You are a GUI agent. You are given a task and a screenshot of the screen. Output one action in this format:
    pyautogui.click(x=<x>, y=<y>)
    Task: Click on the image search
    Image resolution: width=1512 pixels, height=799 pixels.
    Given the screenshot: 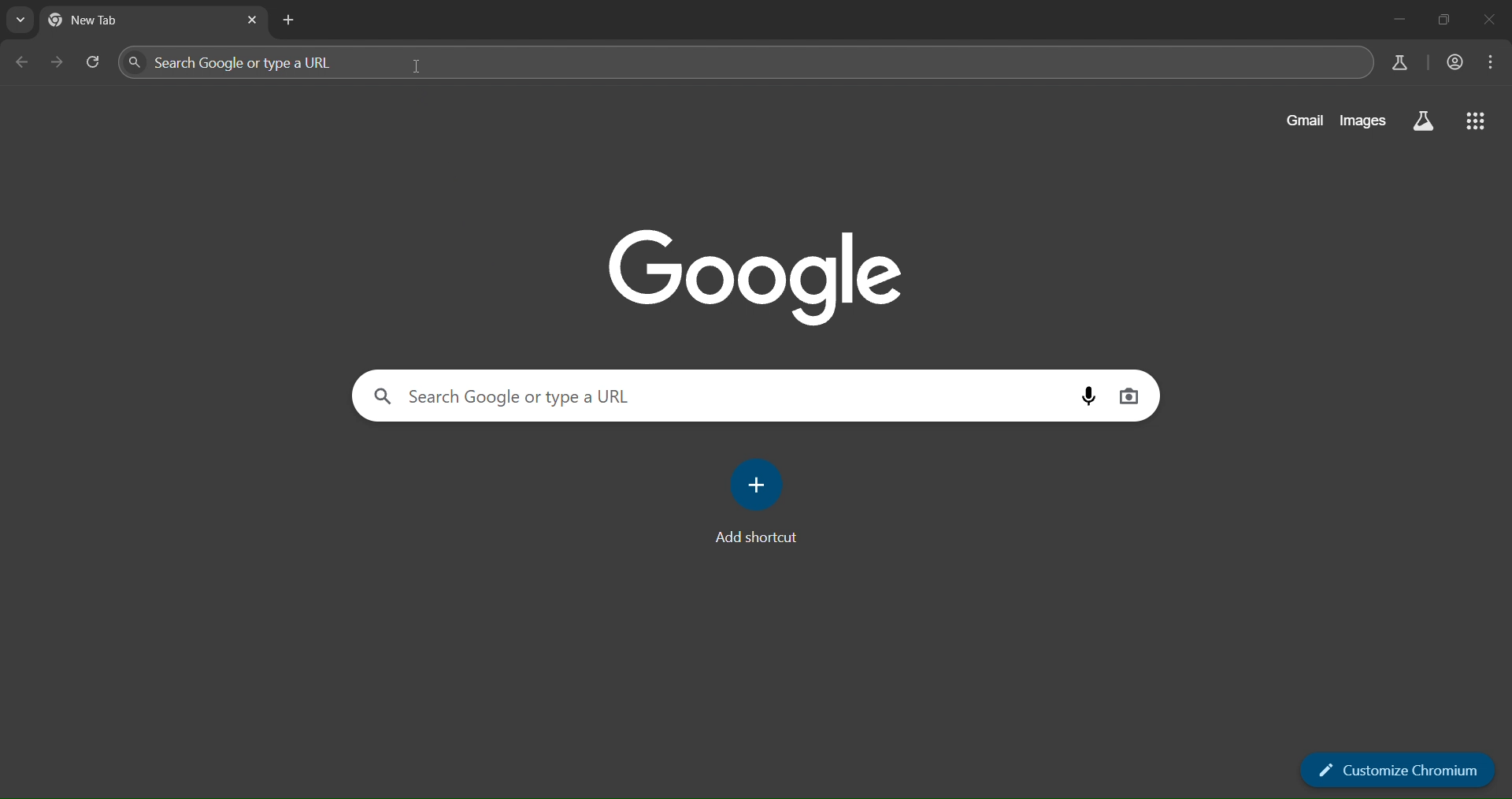 What is the action you would take?
    pyautogui.click(x=1131, y=398)
    